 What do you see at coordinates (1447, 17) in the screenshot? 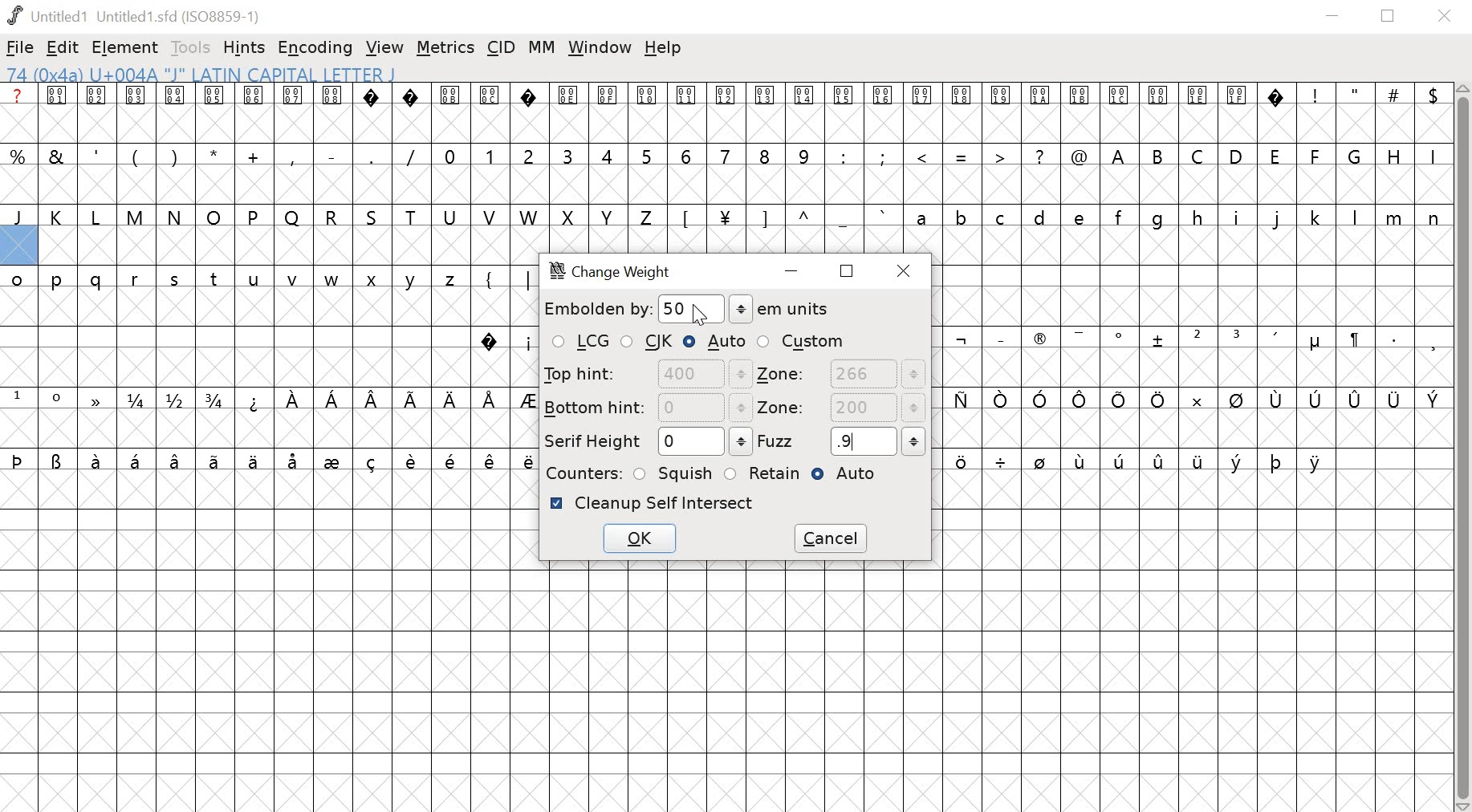
I see `close` at bounding box center [1447, 17].